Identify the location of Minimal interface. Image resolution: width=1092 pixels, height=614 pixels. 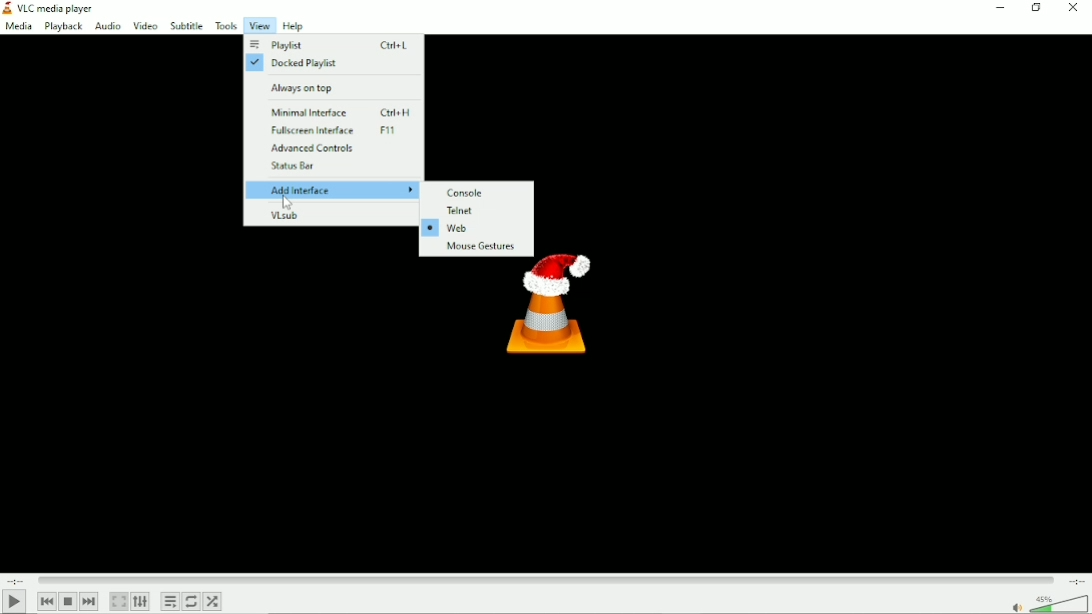
(345, 112).